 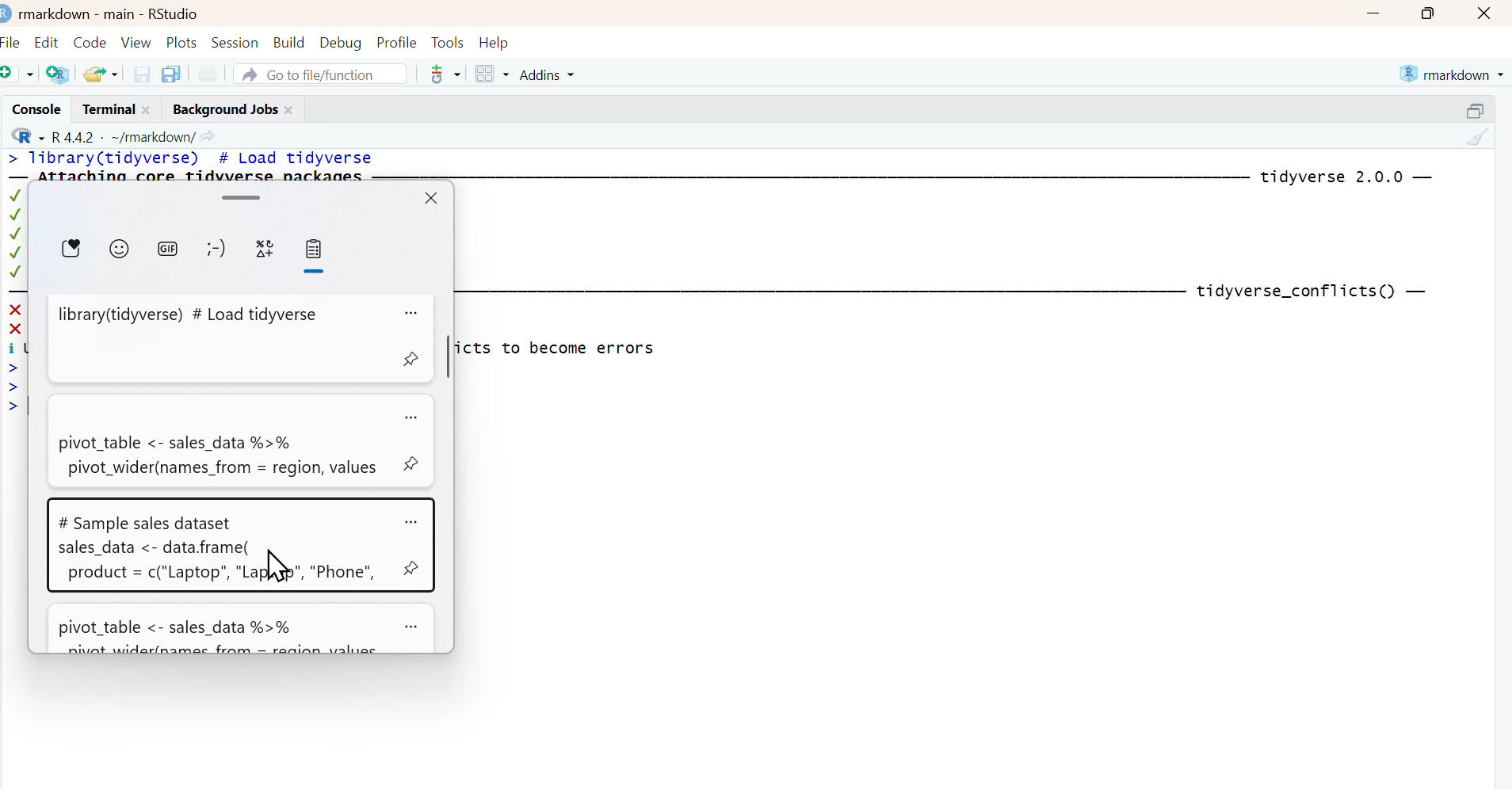 What do you see at coordinates (269, 253) in the screenshot?
I see `symbols` at bounding box center [269, 253].